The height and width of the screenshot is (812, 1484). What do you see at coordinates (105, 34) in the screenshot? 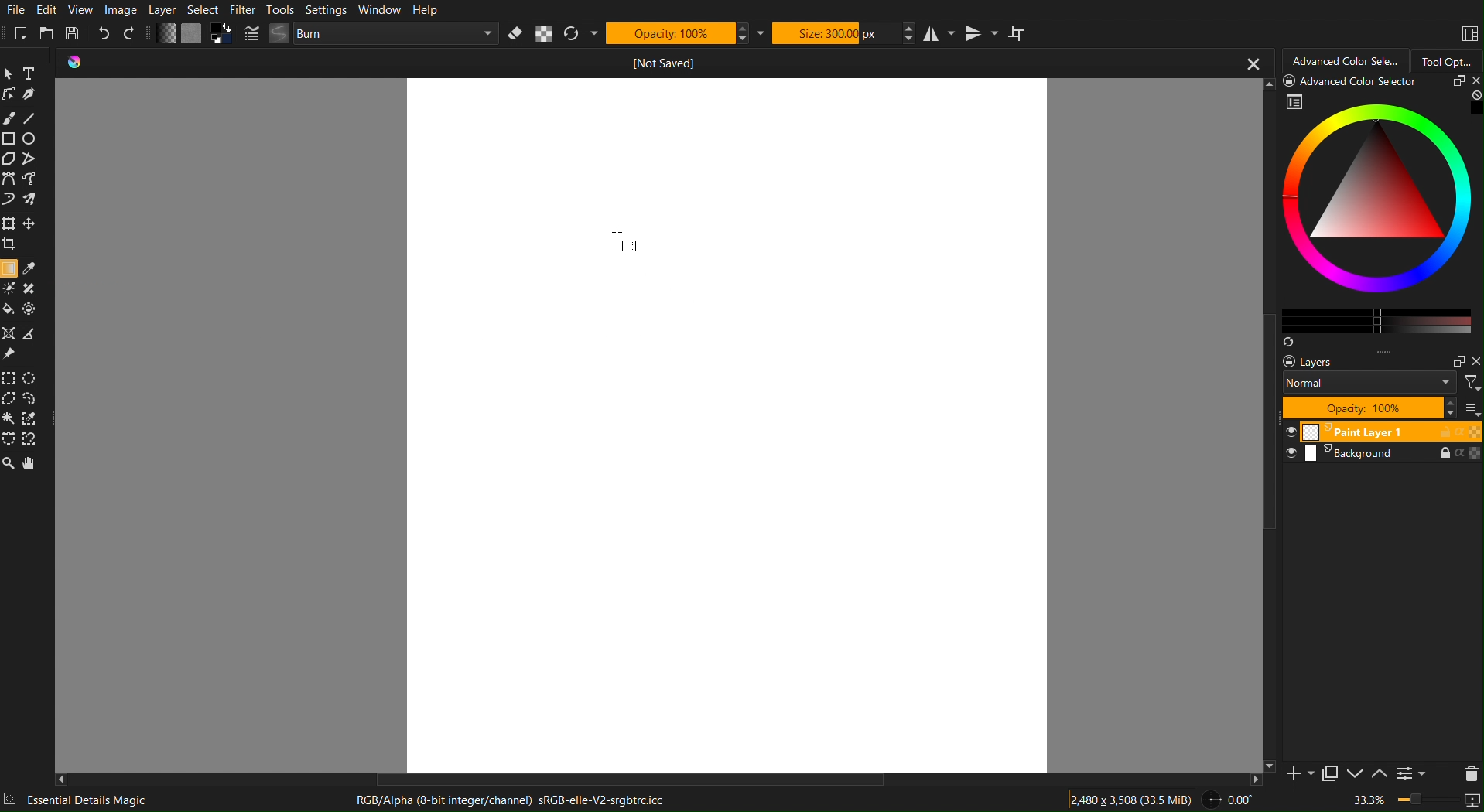
I see `Undo` at bounding box center [105, 34].